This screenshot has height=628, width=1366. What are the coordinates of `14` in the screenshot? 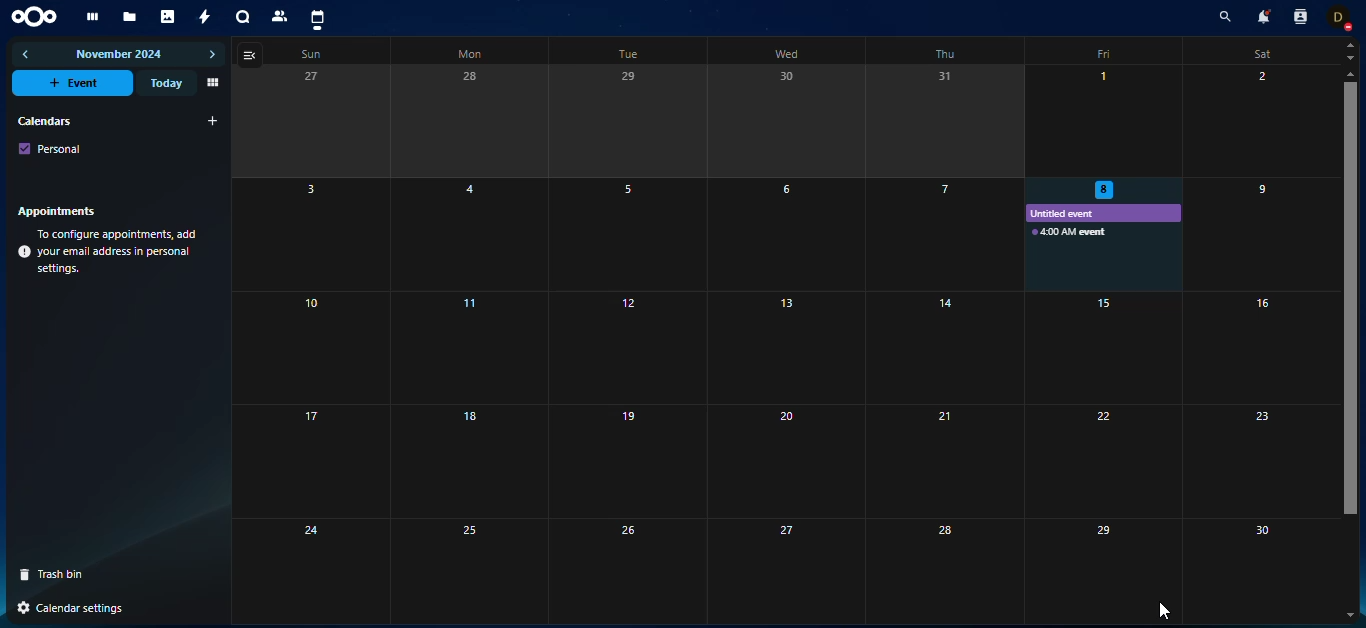 It's located at (939, 347).